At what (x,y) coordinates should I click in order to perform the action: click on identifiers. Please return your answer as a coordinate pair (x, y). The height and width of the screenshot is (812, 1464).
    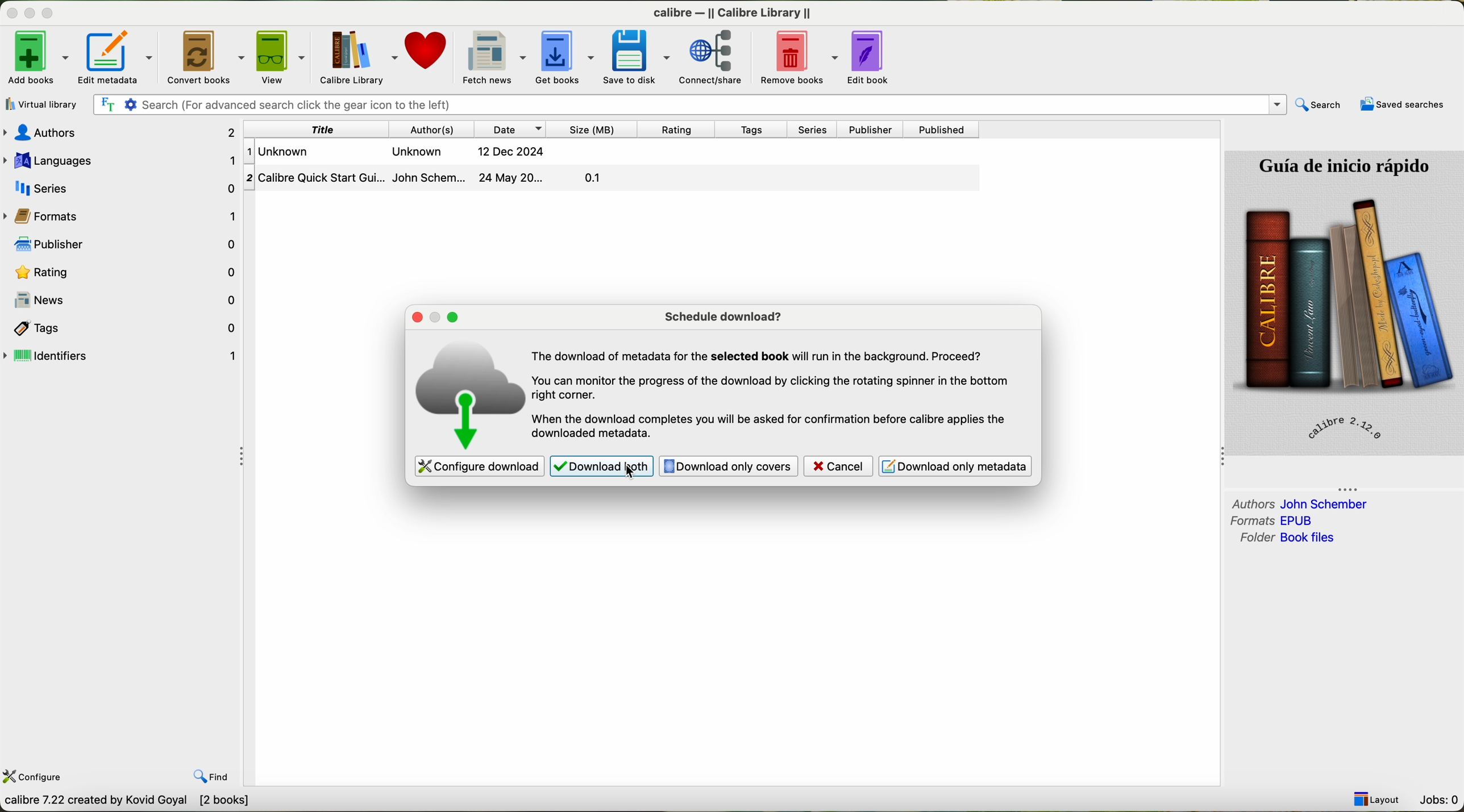
    Looking at the image, I should click on (123, 356).